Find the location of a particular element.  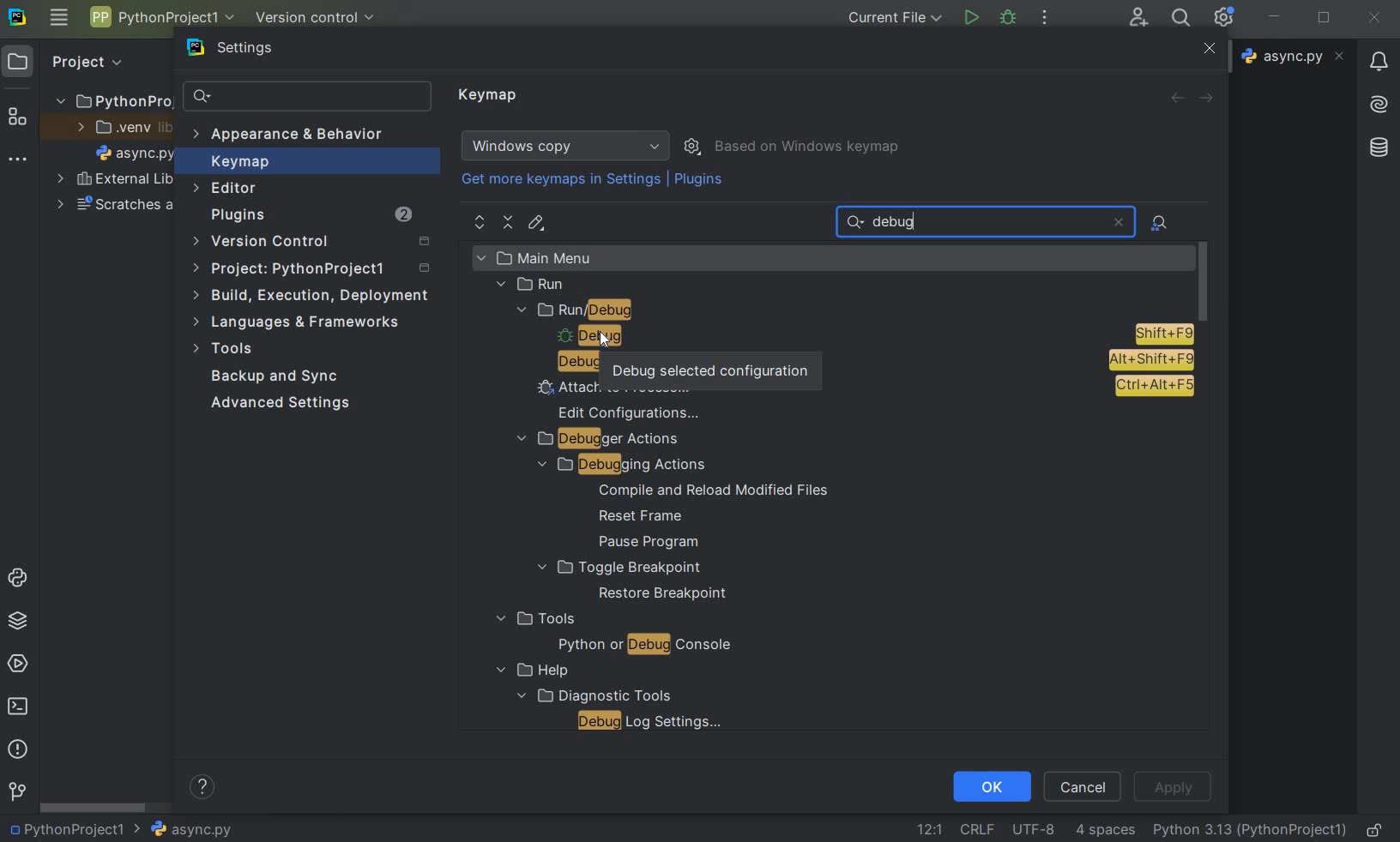

AI asistant is located at coordinates (1377, 99).